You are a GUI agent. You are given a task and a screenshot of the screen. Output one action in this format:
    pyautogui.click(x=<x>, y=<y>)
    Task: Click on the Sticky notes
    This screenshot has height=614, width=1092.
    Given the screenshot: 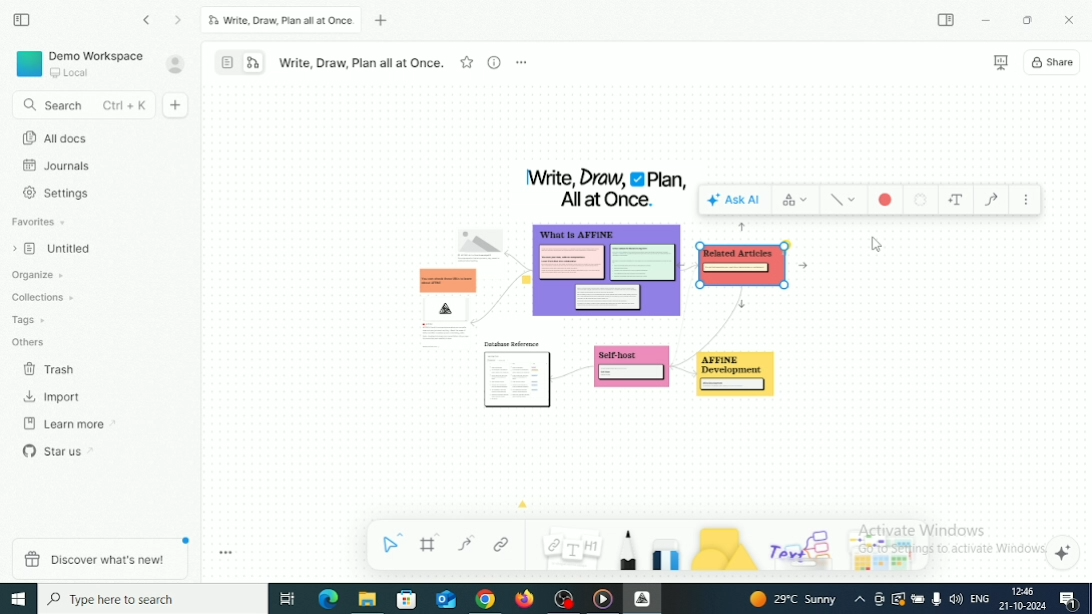 What is the action you would take?
    pyautogui.click(x=442, y=302)
    